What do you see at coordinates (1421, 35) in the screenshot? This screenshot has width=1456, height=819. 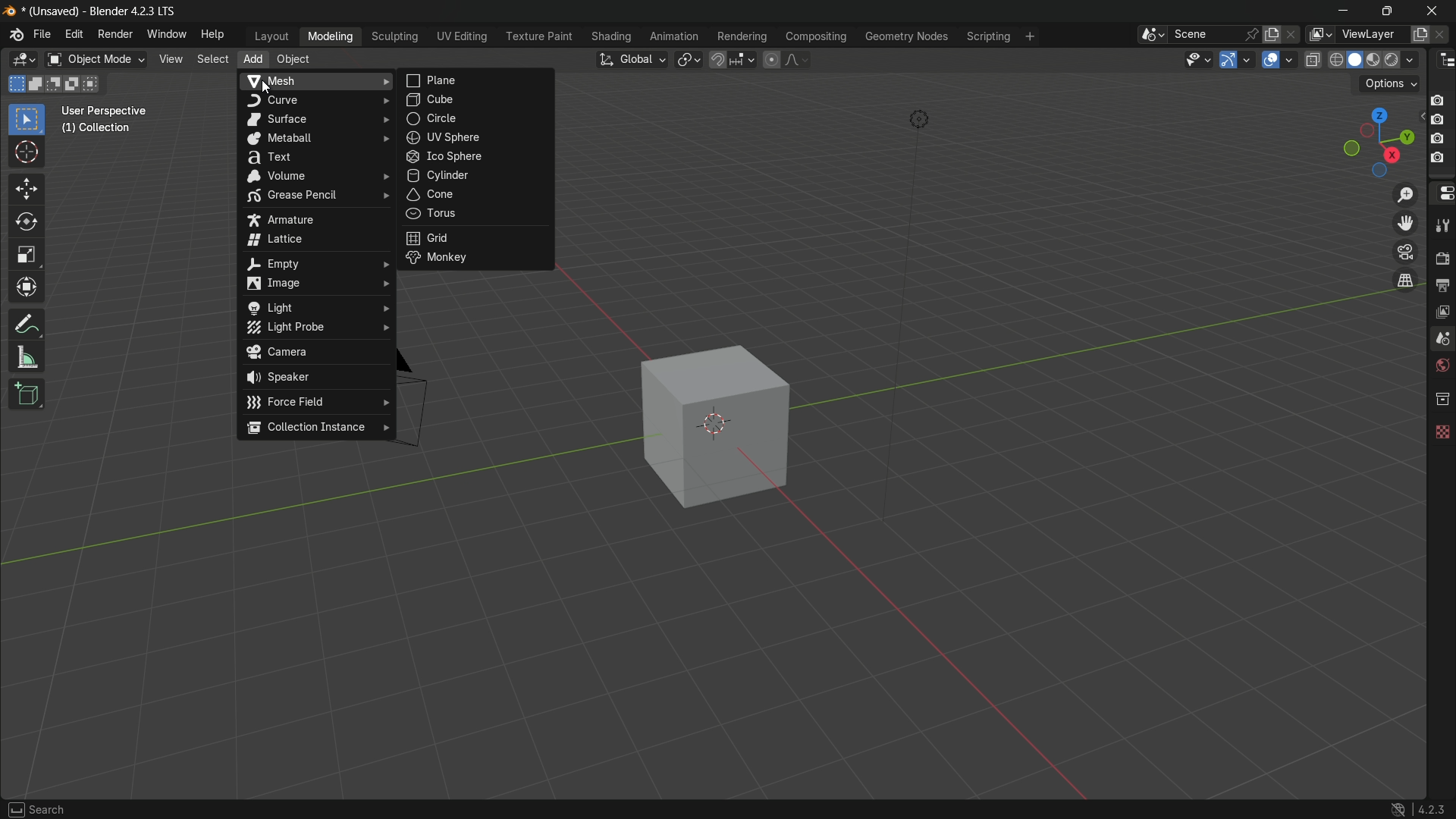 I see `add new layer` at bounding box center [1421, 35].